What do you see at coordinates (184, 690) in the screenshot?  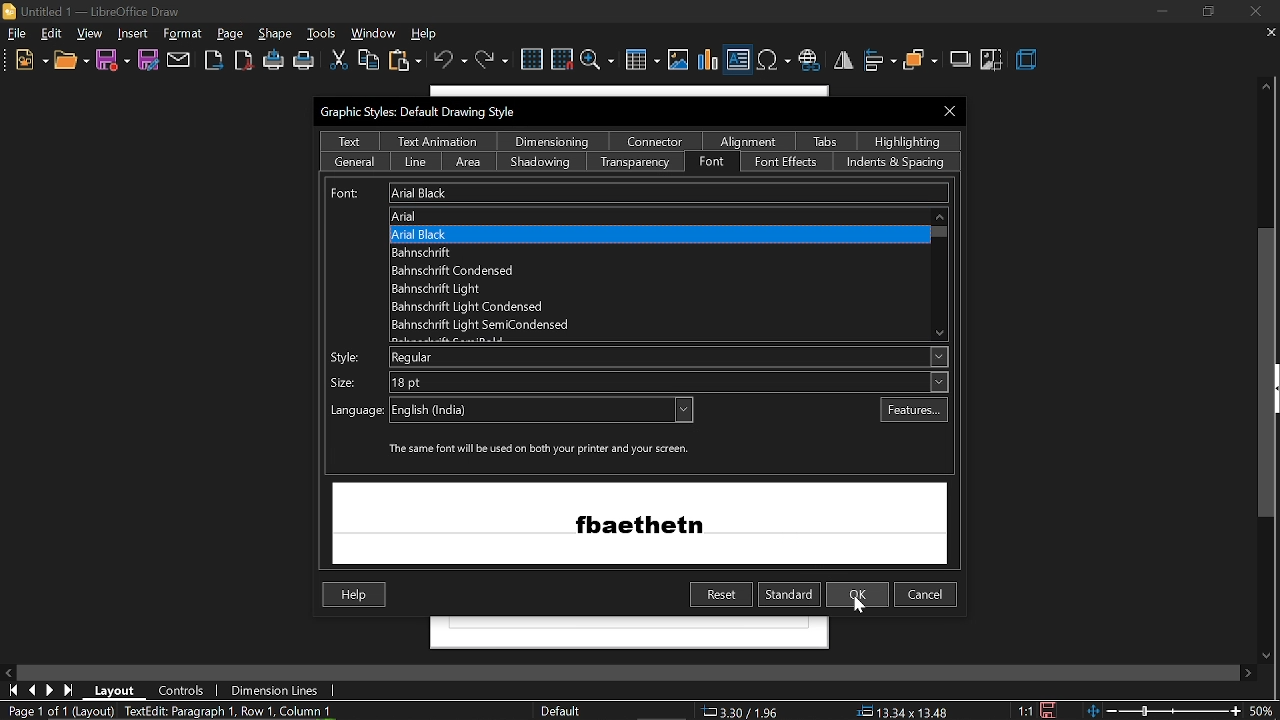 I see `controls` at bounding box center [184, 690].